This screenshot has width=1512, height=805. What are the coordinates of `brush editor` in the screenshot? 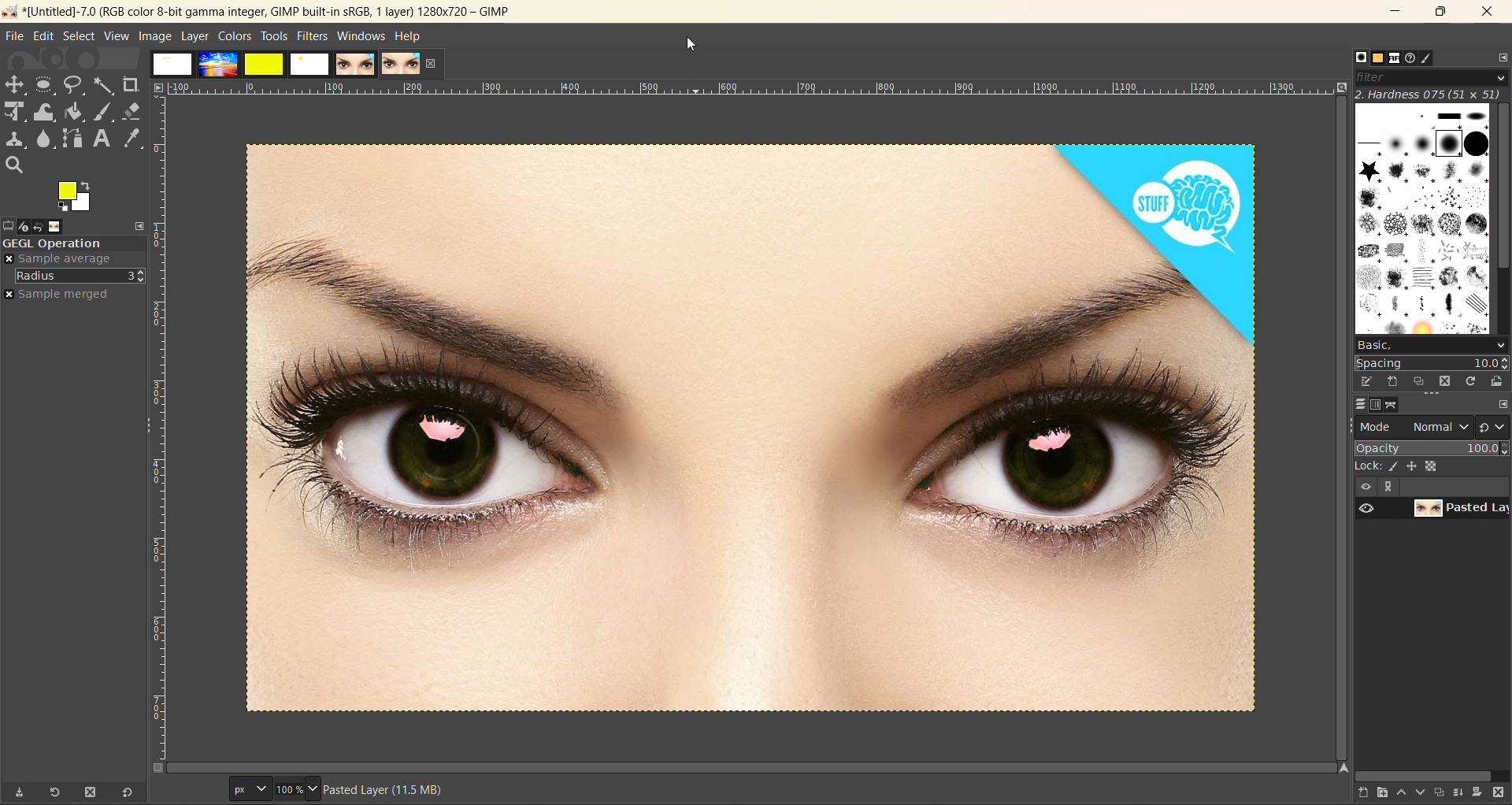 It's located at (1434, 59).